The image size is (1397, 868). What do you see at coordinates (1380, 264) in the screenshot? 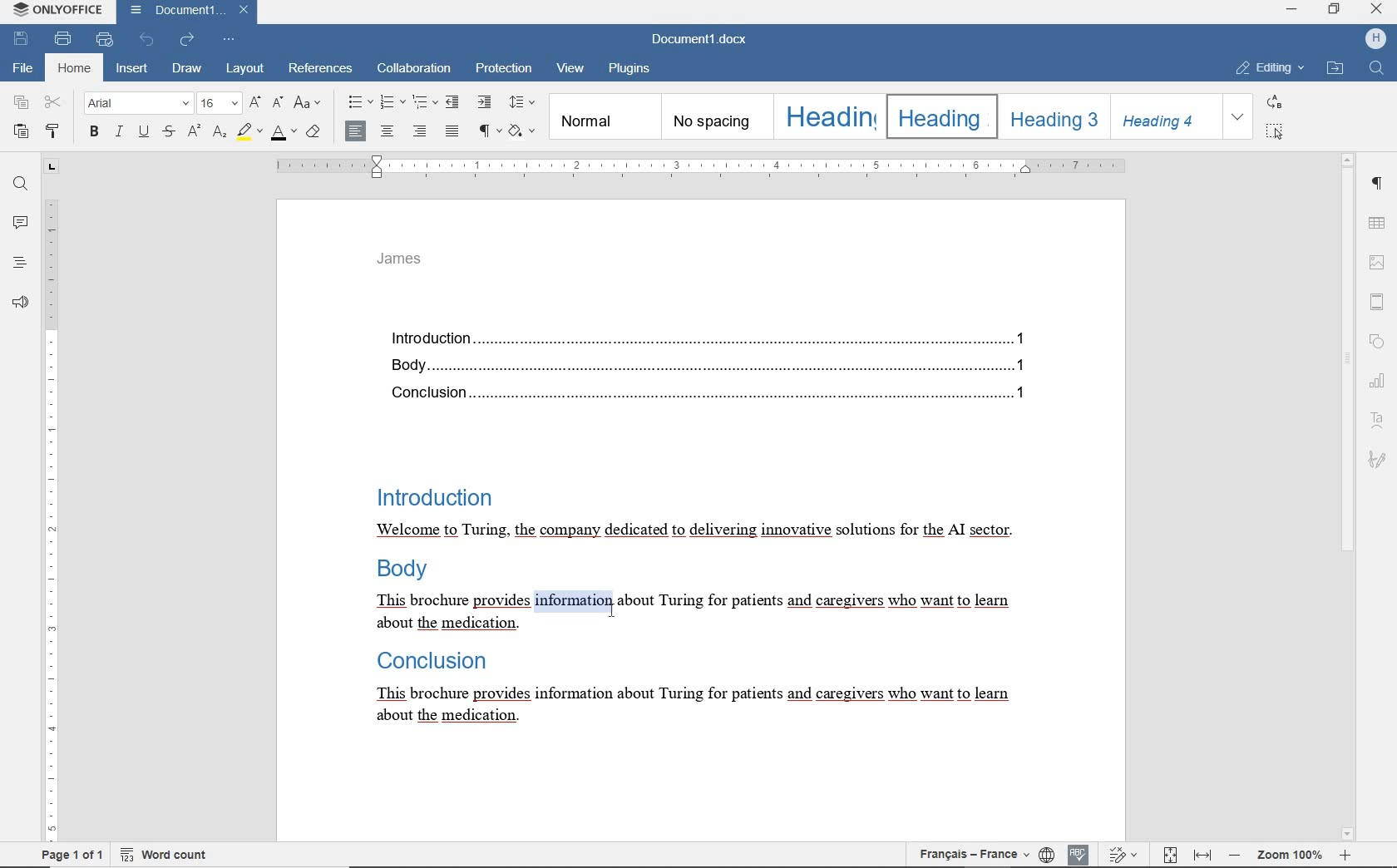
I see `IMAGE` at bounding box center [1380, 264].